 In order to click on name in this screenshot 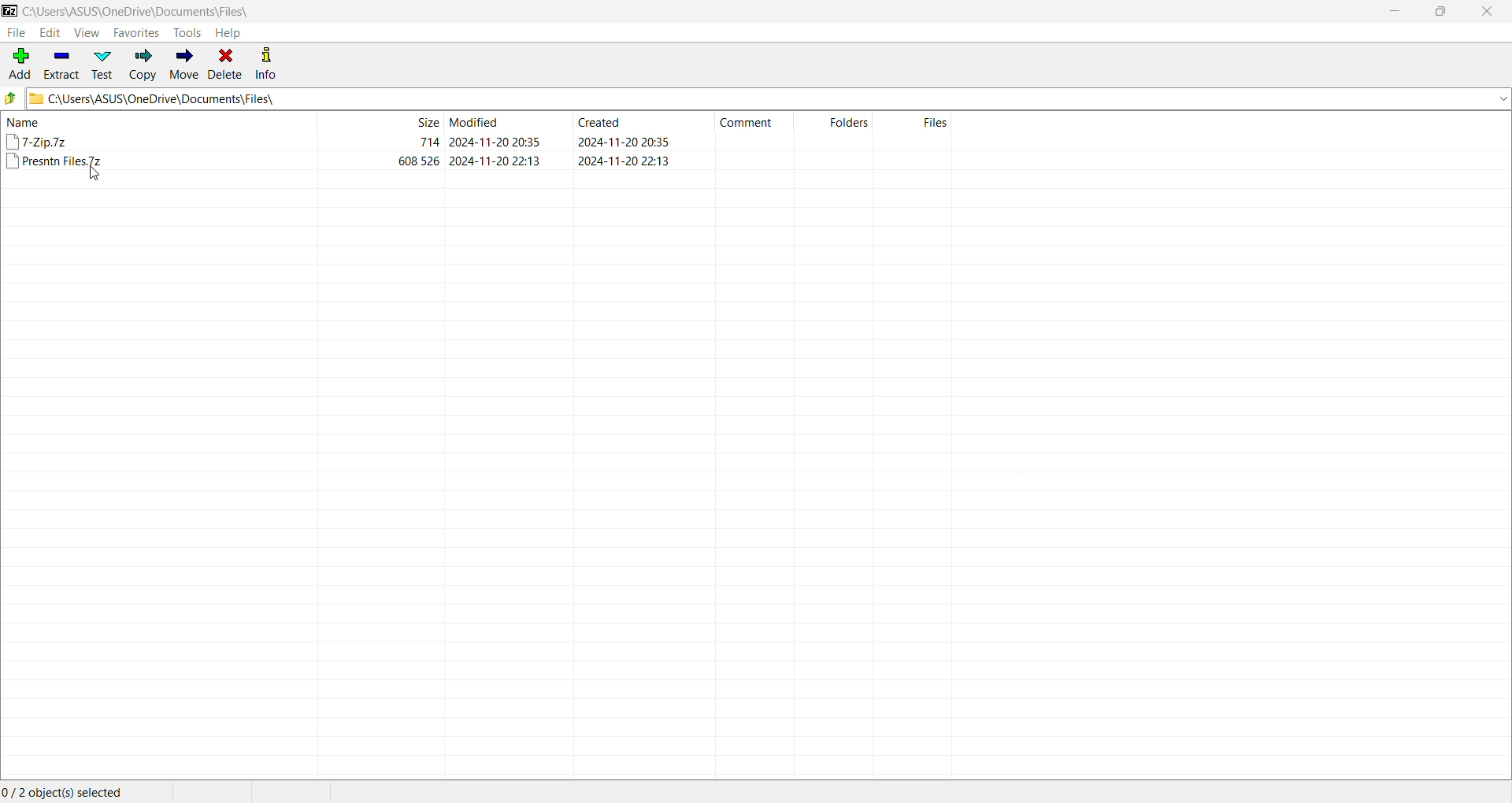, I will do `click(24, 122)`.